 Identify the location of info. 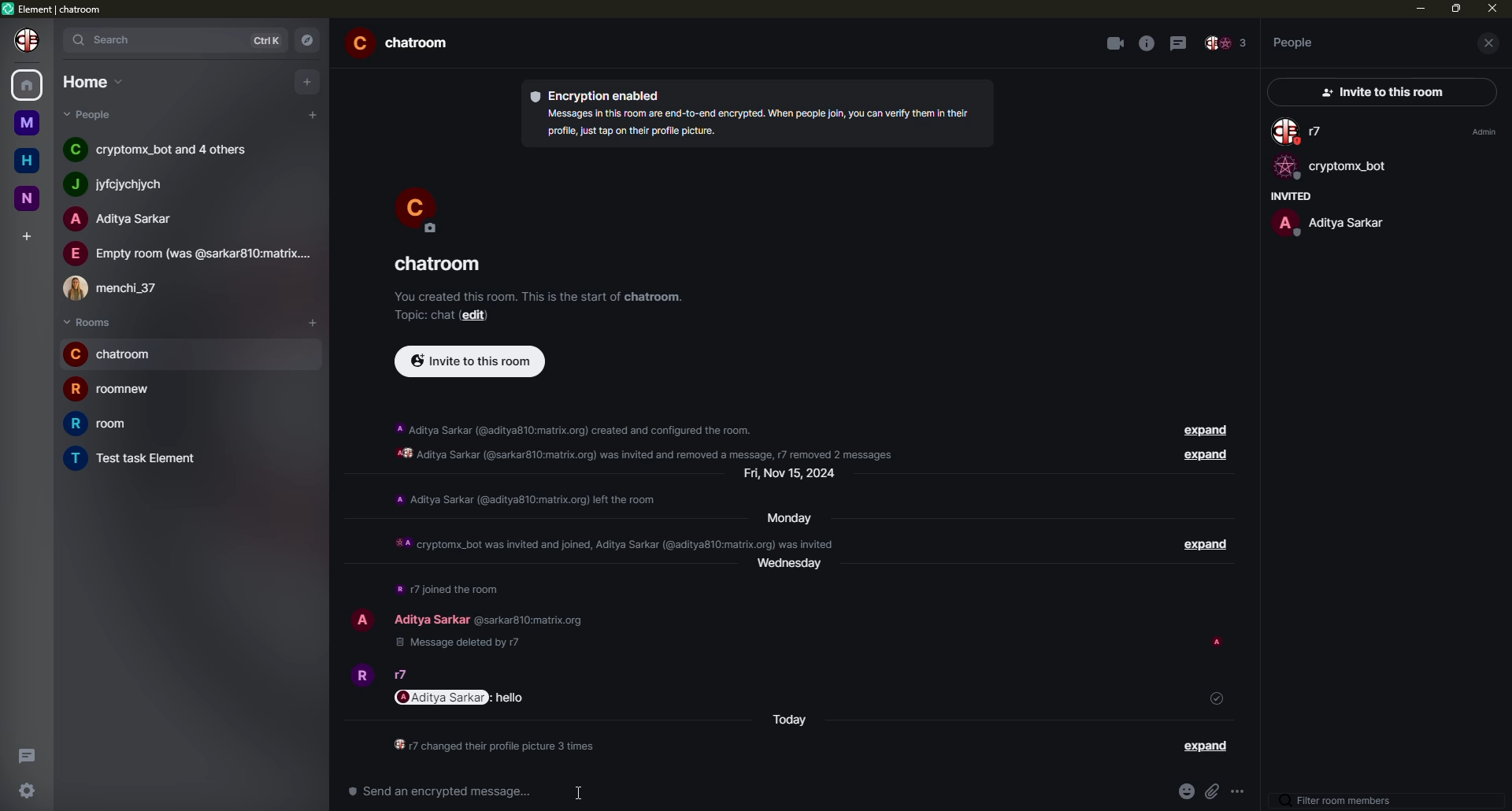
(613, 542).